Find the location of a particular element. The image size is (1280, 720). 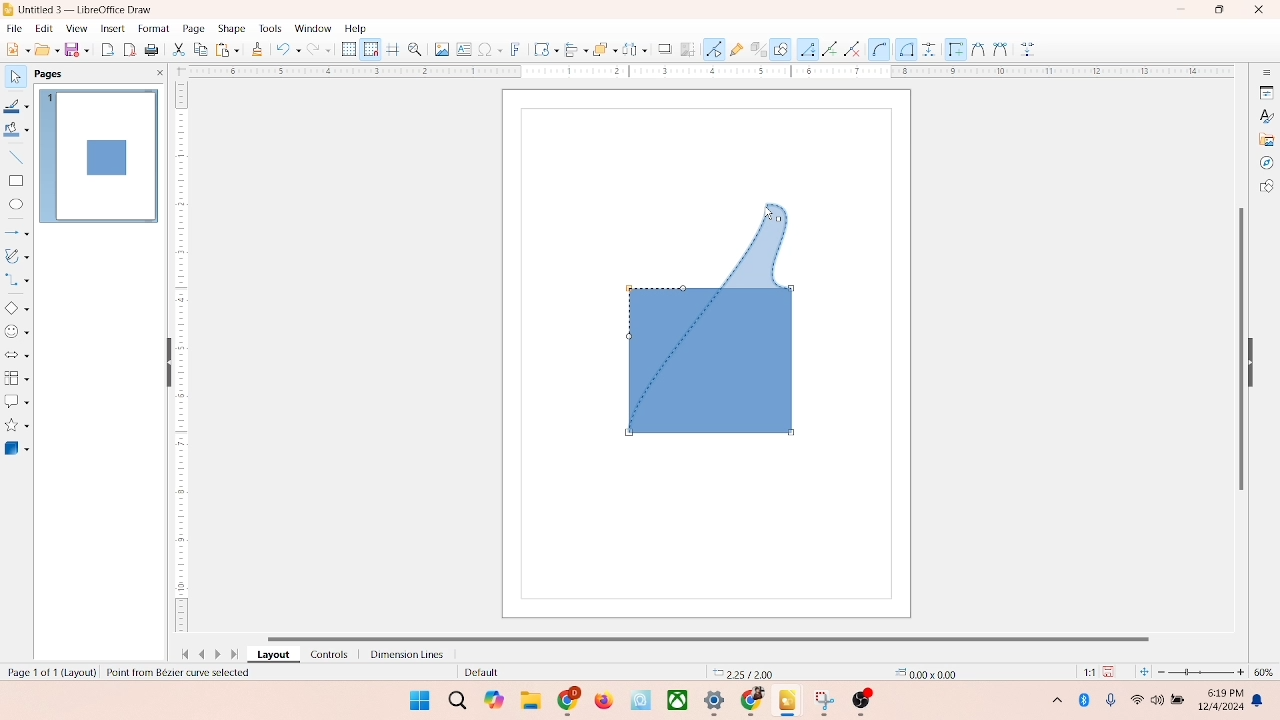

scale bar is located at coordinates (181, 360).